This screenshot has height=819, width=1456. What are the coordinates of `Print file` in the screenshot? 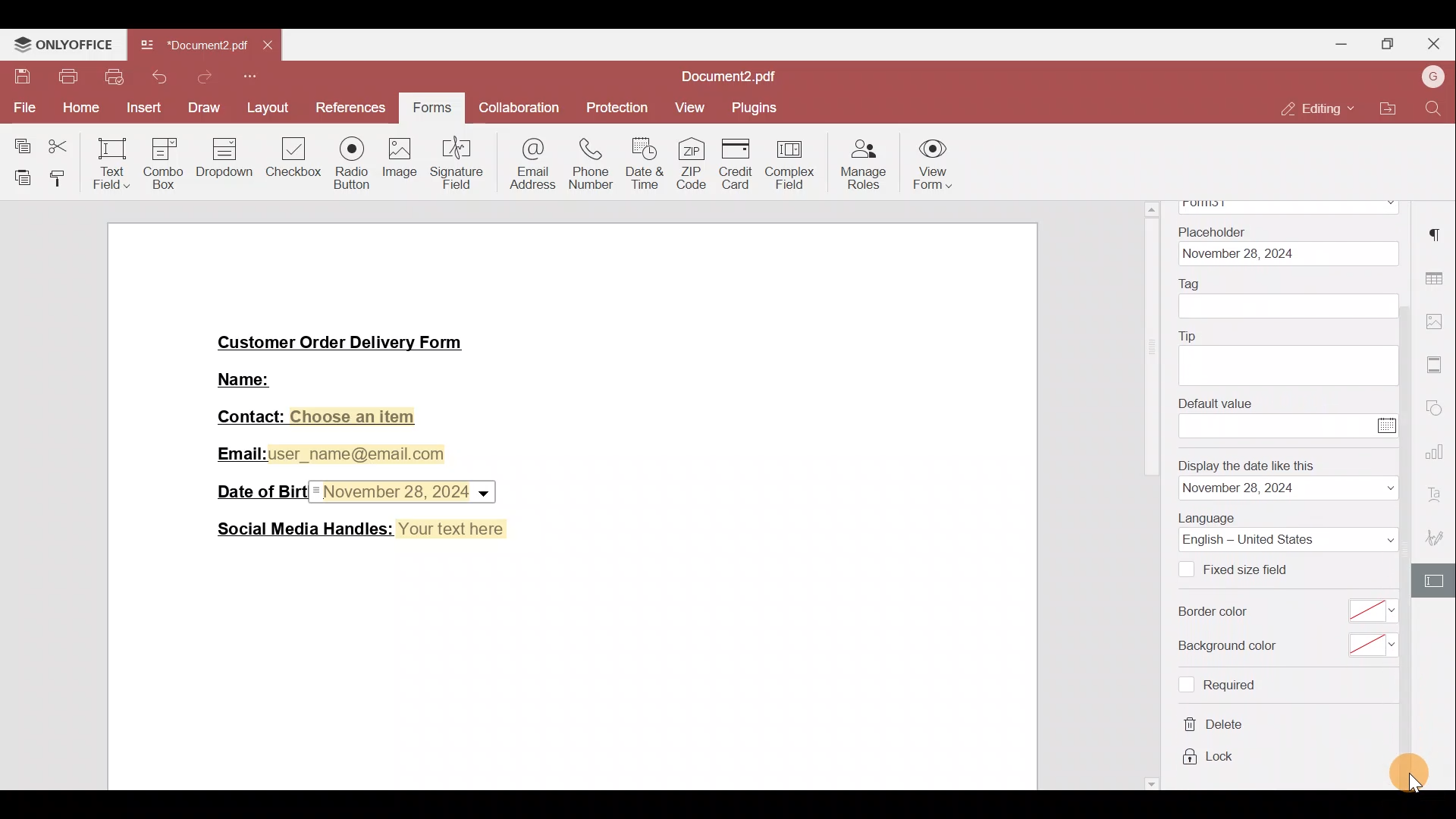 It's located at (63, 77).